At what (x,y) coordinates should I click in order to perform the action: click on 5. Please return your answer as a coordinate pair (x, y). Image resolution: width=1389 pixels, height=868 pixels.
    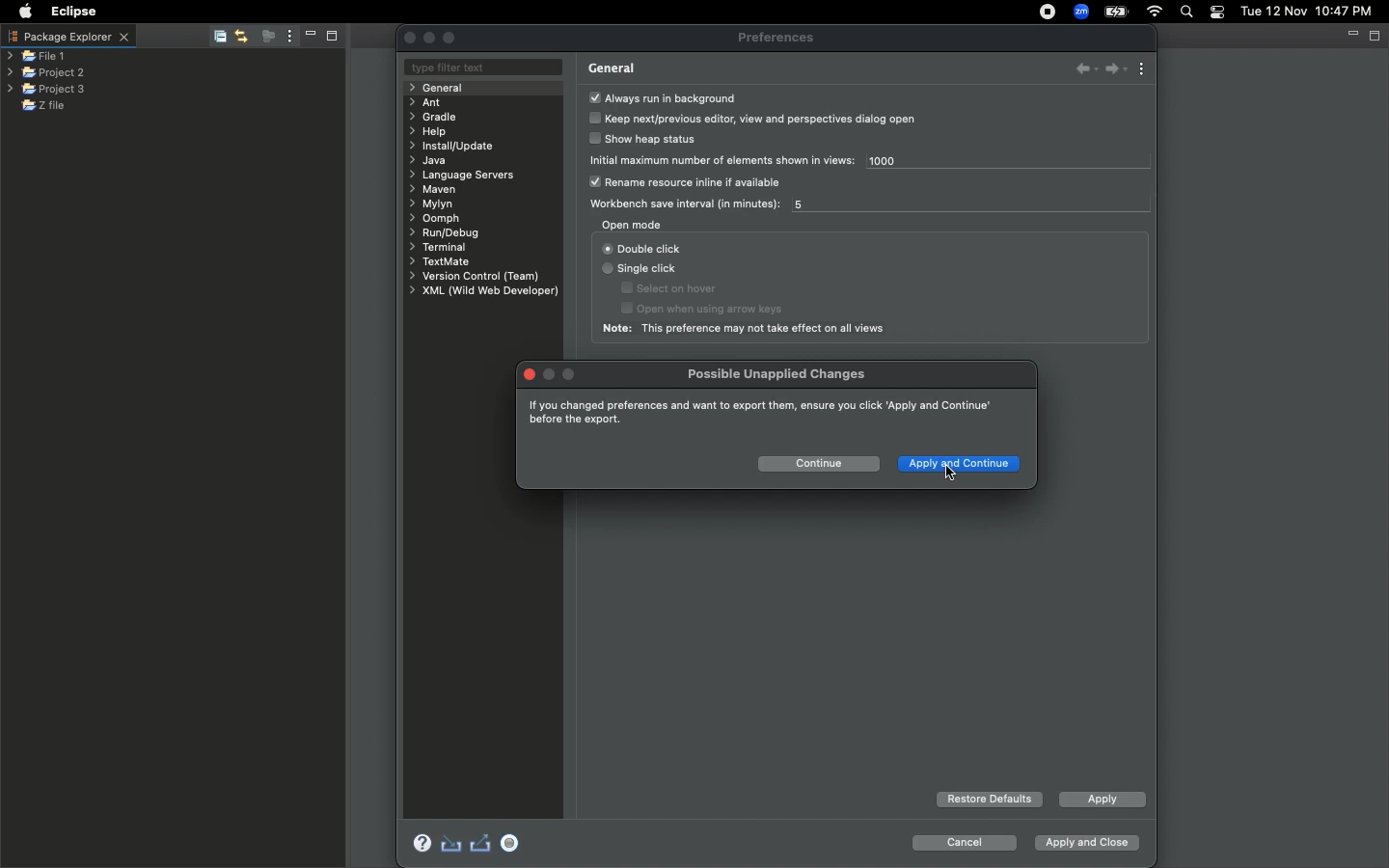
    Looking at the image, I should click on (806, 205).